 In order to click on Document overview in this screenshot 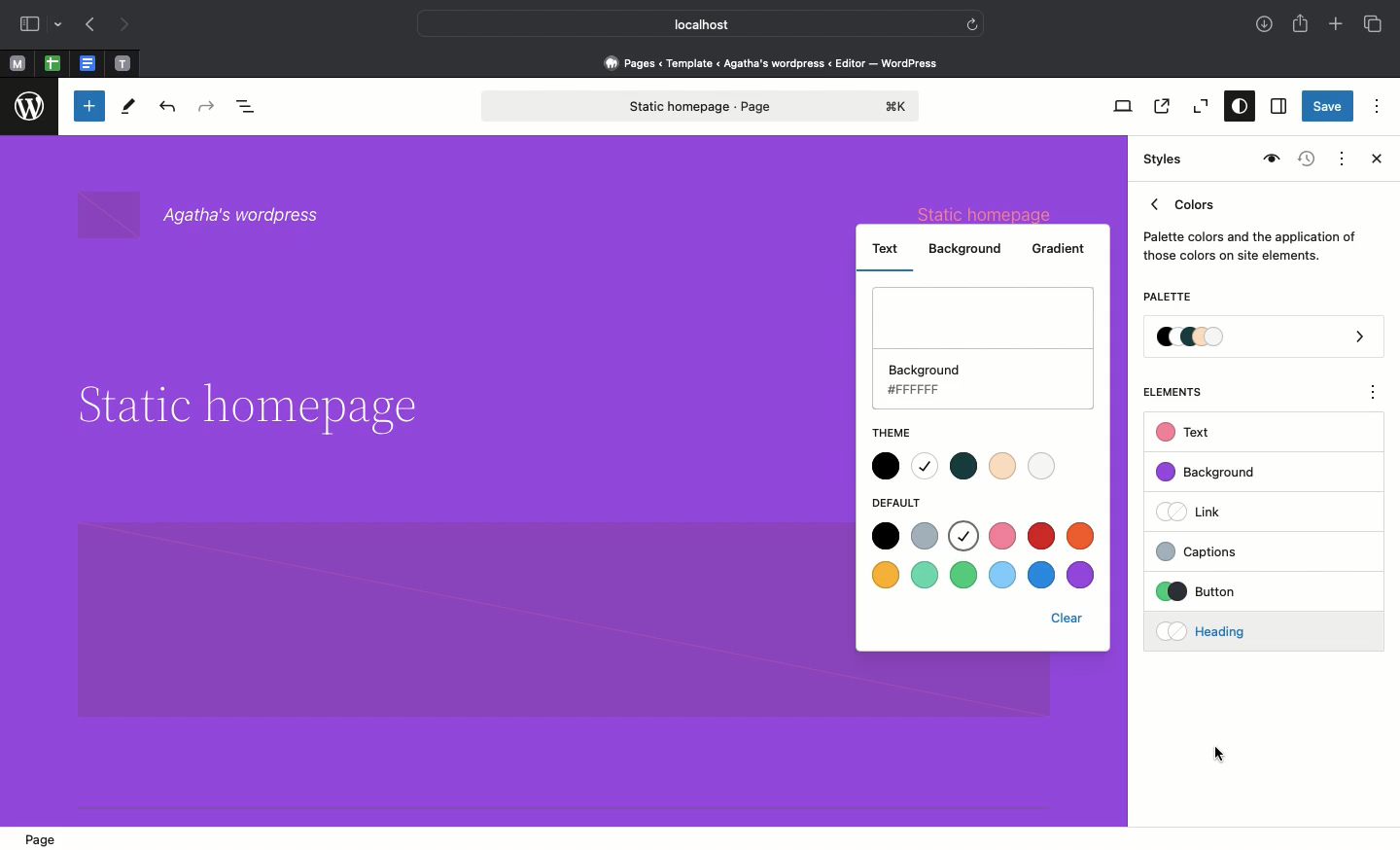, I will do `click(250, 108)`.